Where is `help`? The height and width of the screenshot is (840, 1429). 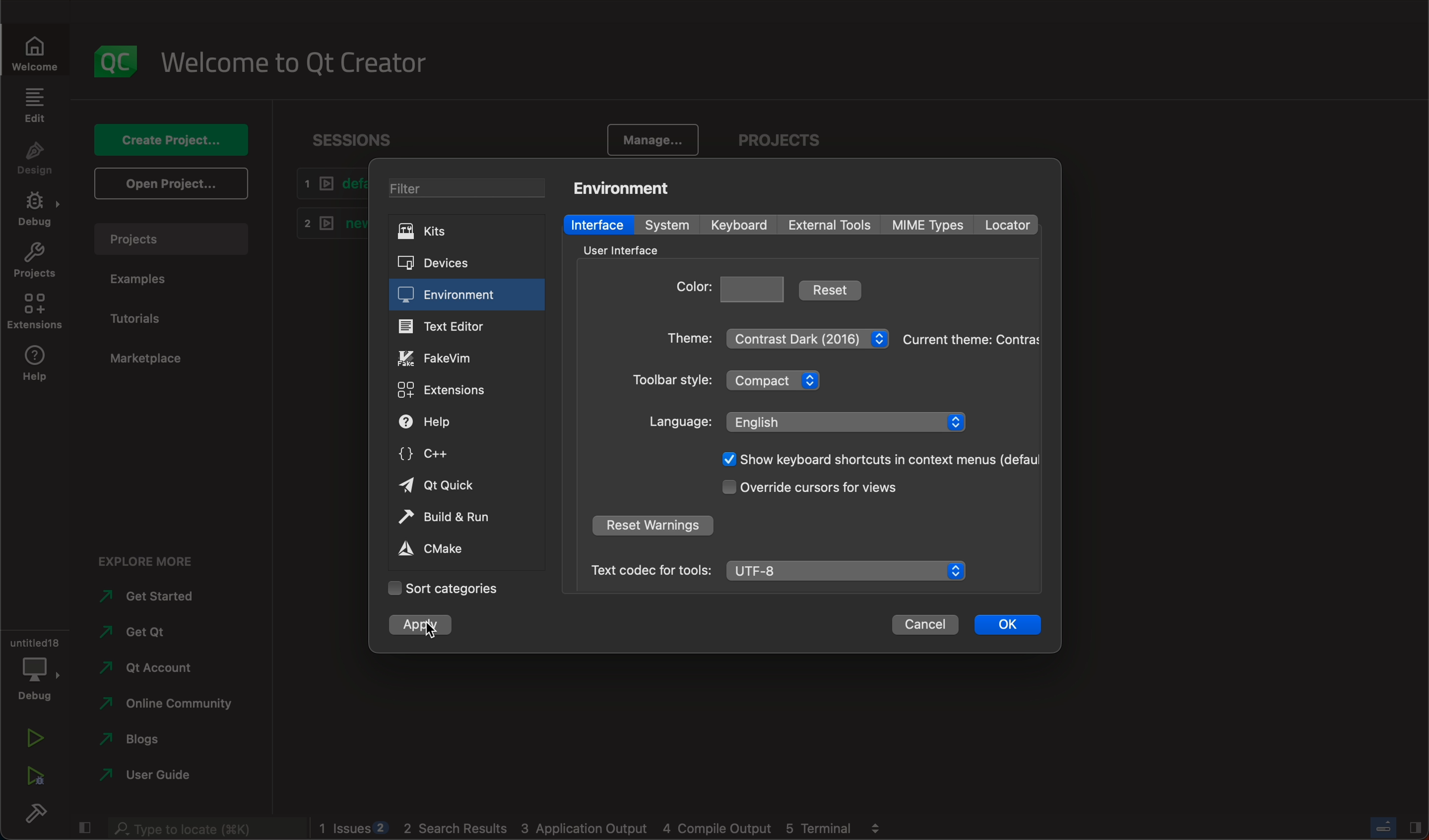
help is located at coordinates (32, 367).